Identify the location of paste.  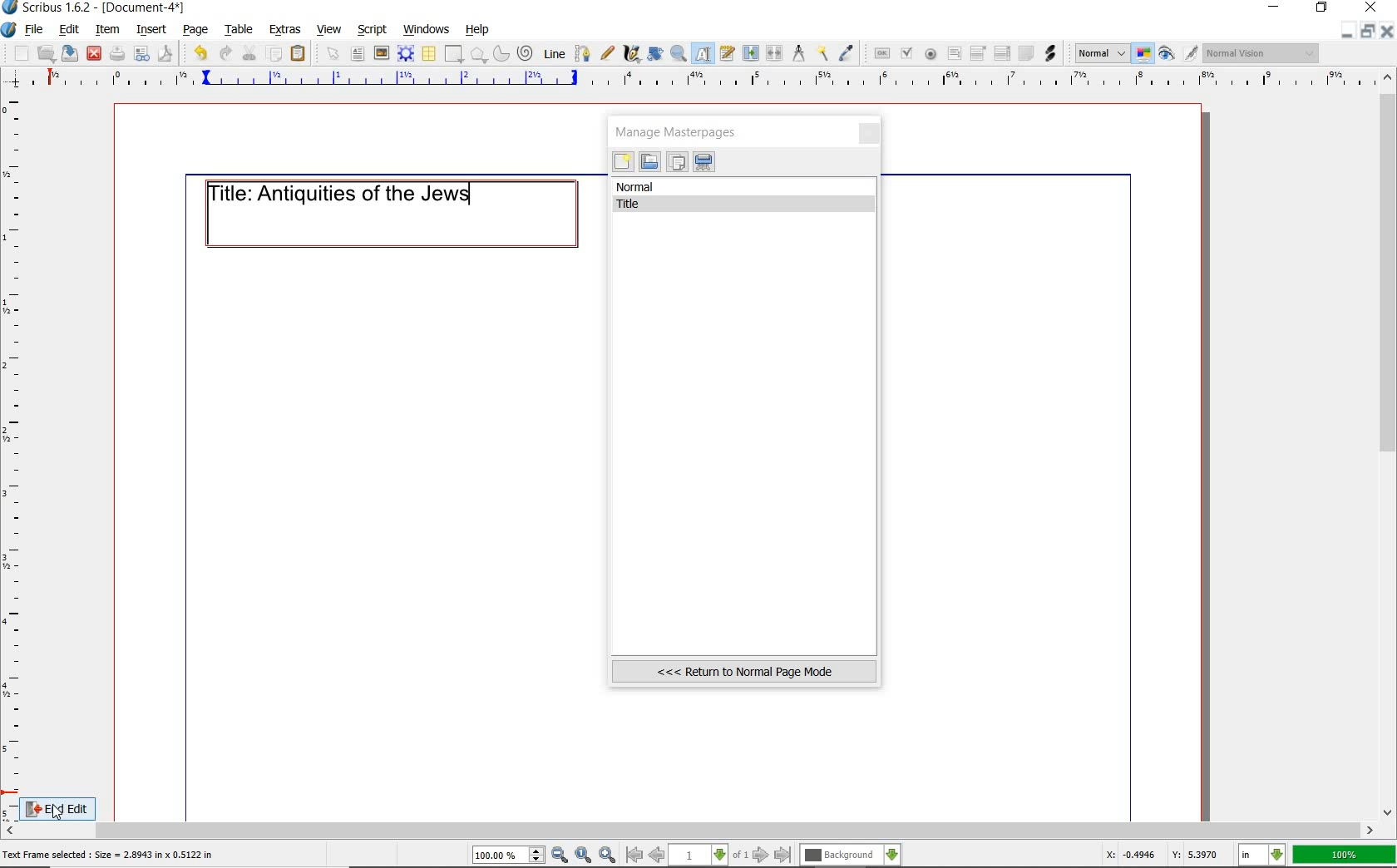
(299, 54).